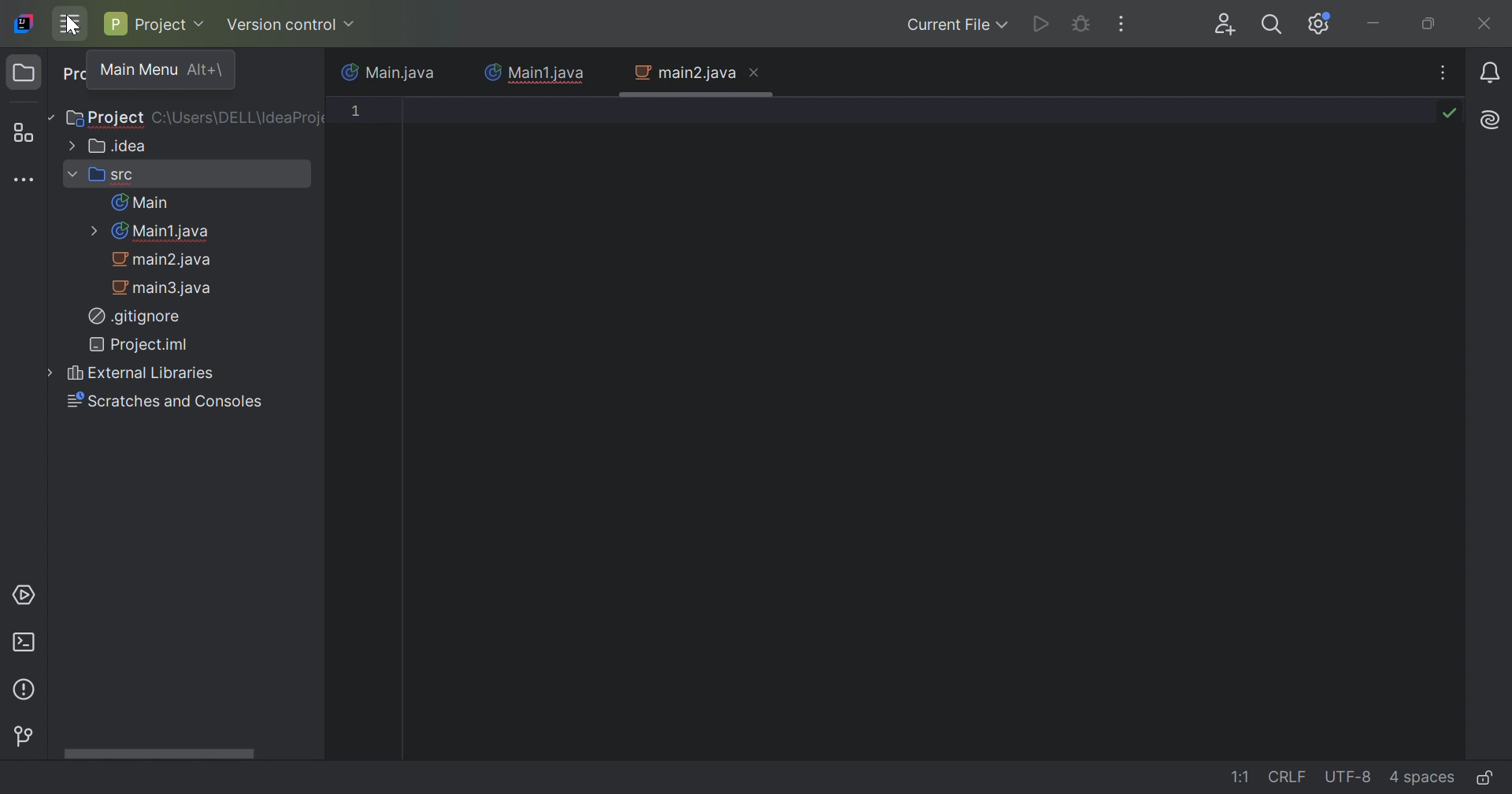 The width and height of the screenshot is (1512, 794). What do you see at coordinates (1229, 26) in the screenshot?
I see `Code with me` at bounding box center [1229, 26].